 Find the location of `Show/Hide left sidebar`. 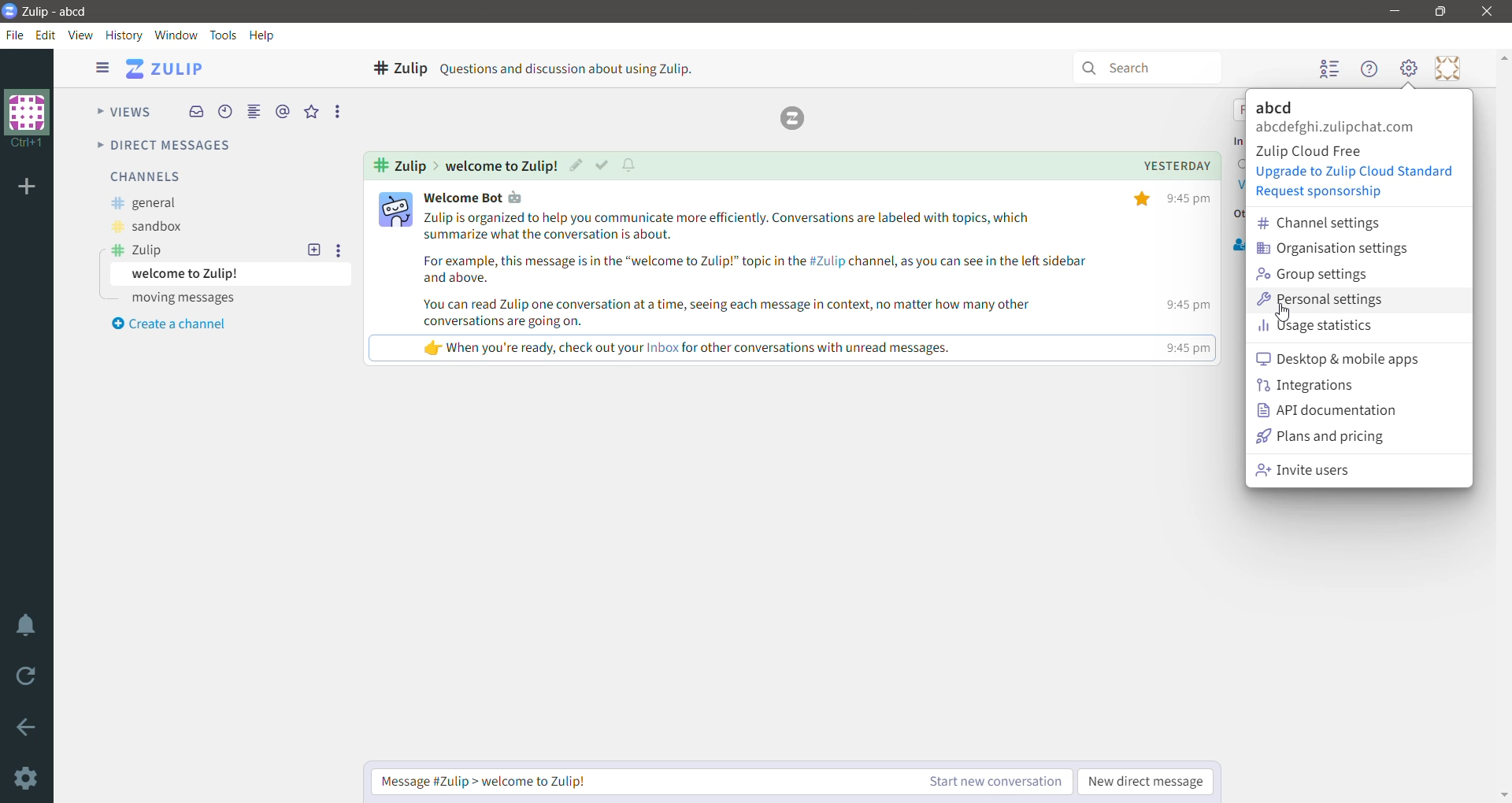

Show/Hide left sidebar is located at coordinates (102, 67).